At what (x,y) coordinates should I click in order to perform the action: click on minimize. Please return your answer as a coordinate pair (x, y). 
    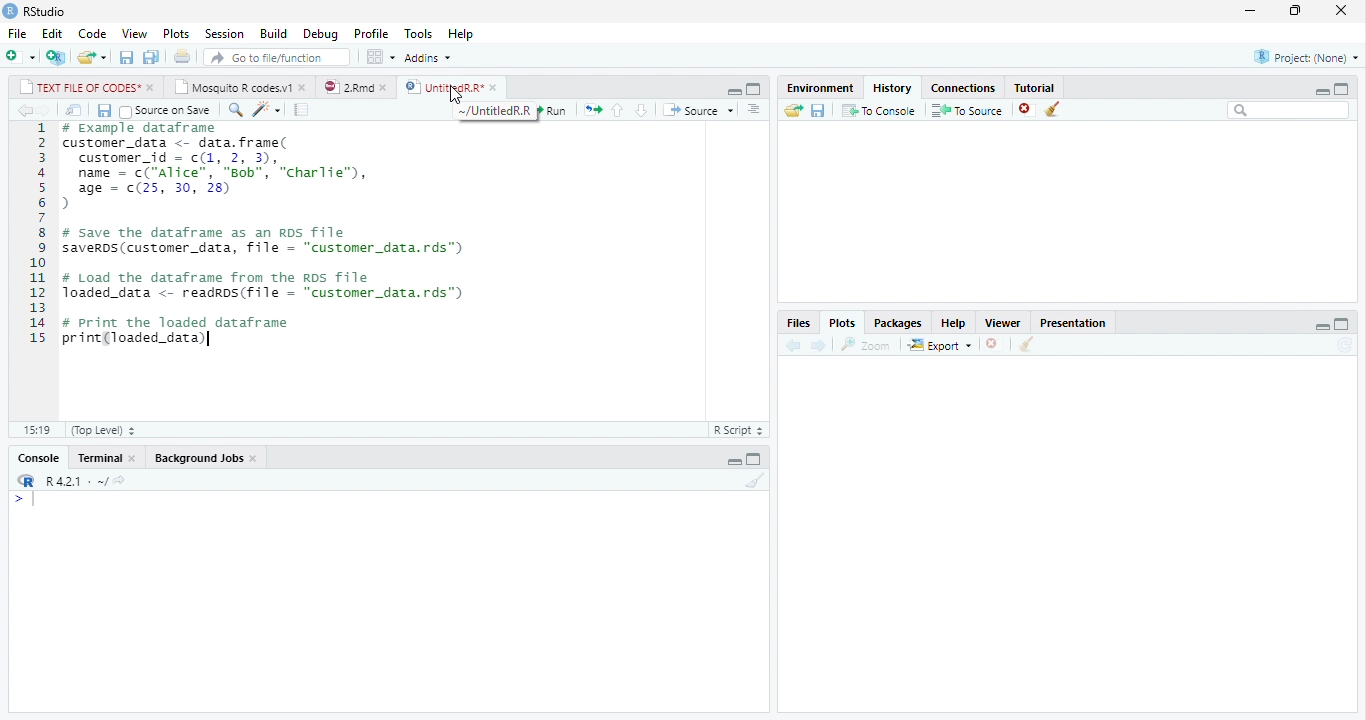
    Looking at the image, I should click on (734, 462).